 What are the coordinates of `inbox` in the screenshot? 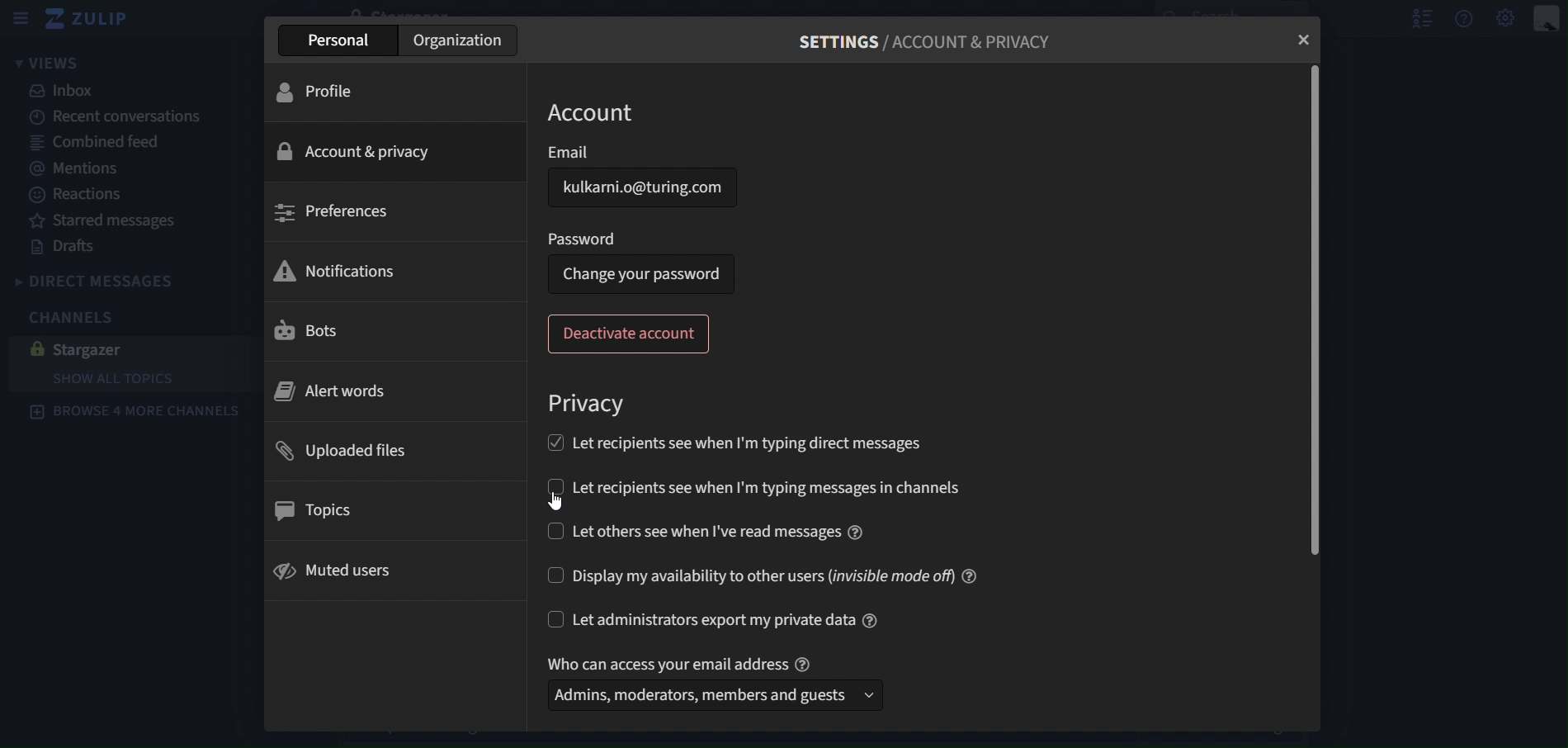 It's located at (65, 93).